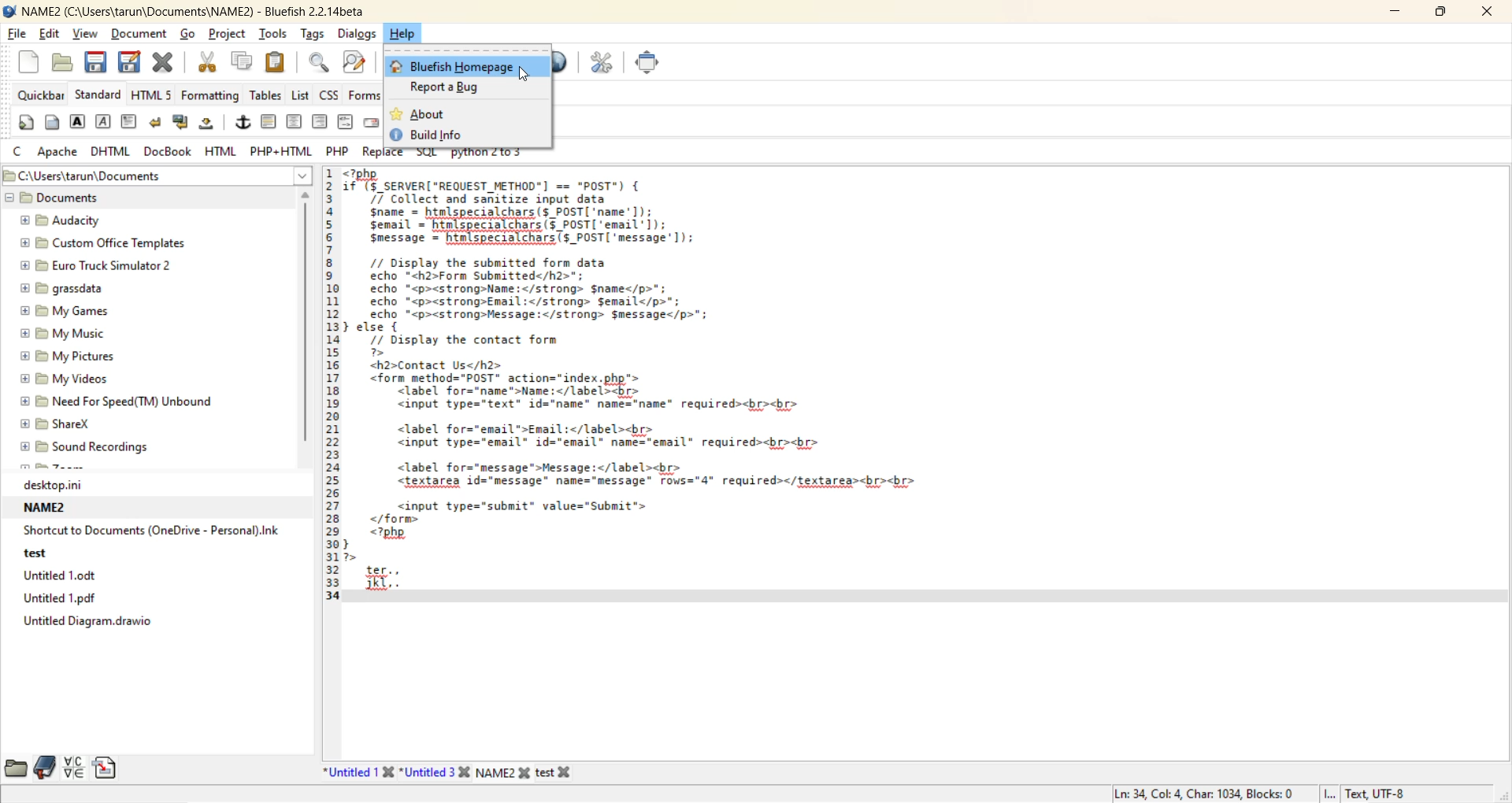 This screenshot has height=803, width=1512. I want to click on cut, so click(210, 61).